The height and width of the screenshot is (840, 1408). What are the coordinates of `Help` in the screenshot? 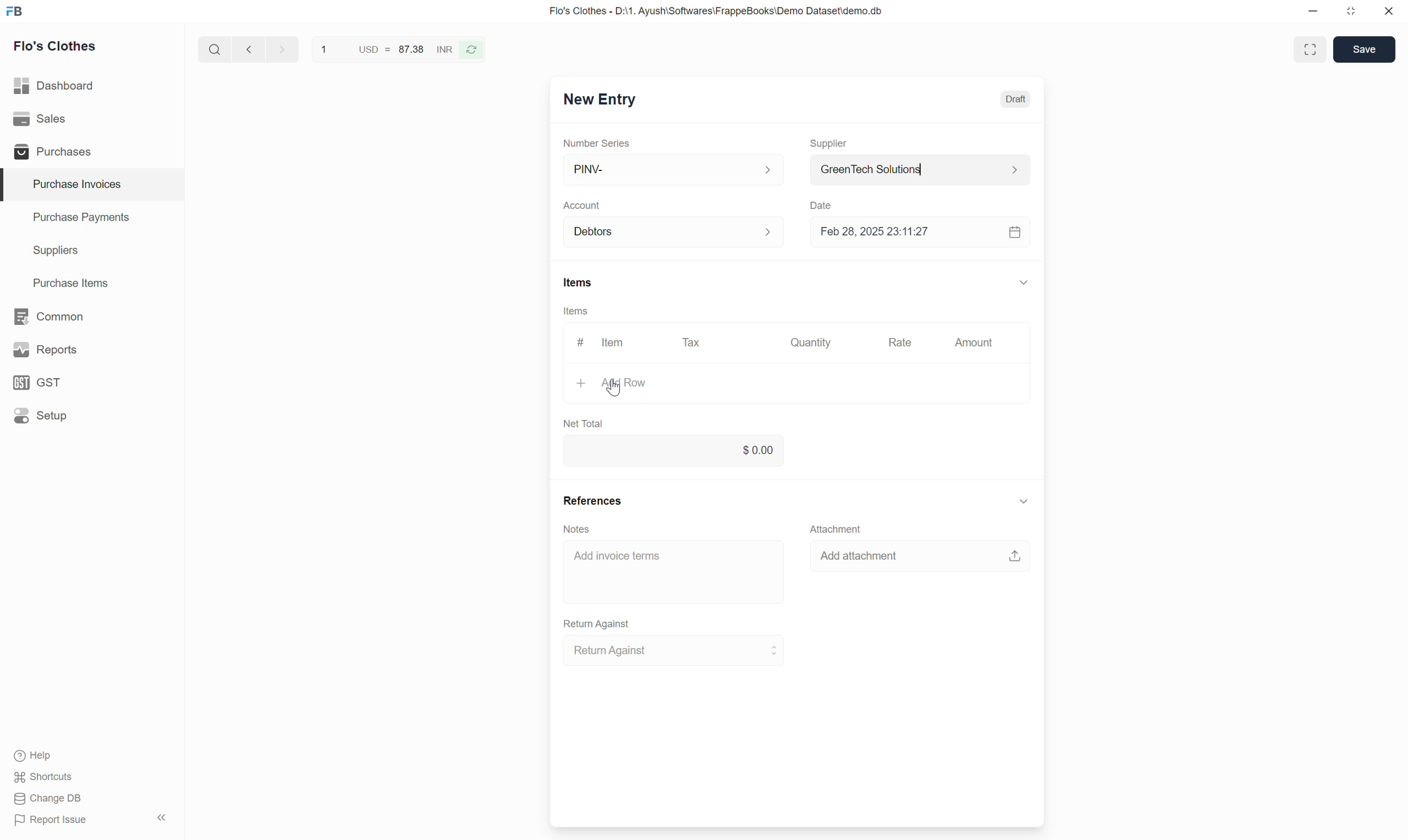 It's located at (36, 756).